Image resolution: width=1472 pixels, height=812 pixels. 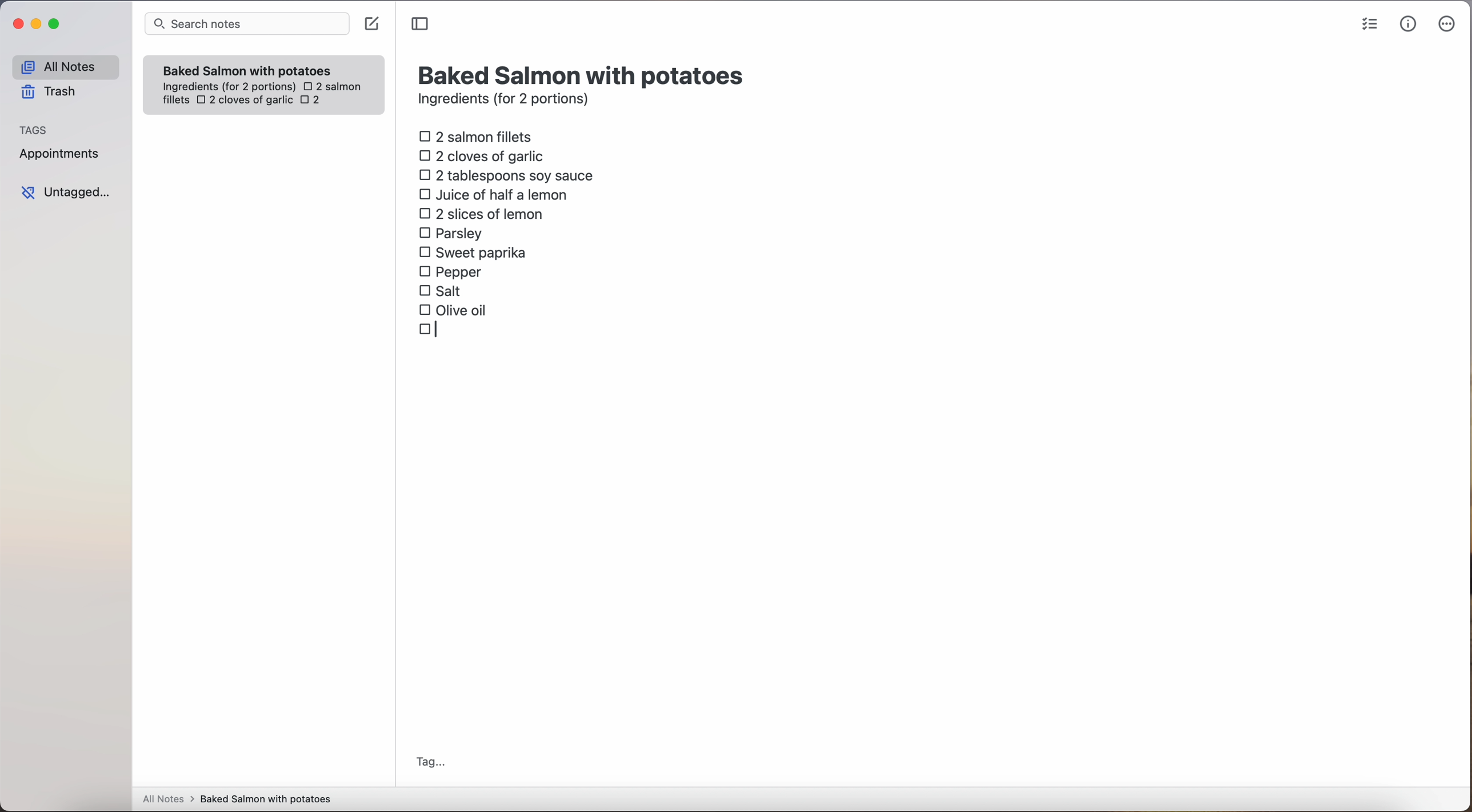 What do you see at coordinates (331, 85) in the screenshot?
I see `2 salmon` at bounding box center [331, 85].